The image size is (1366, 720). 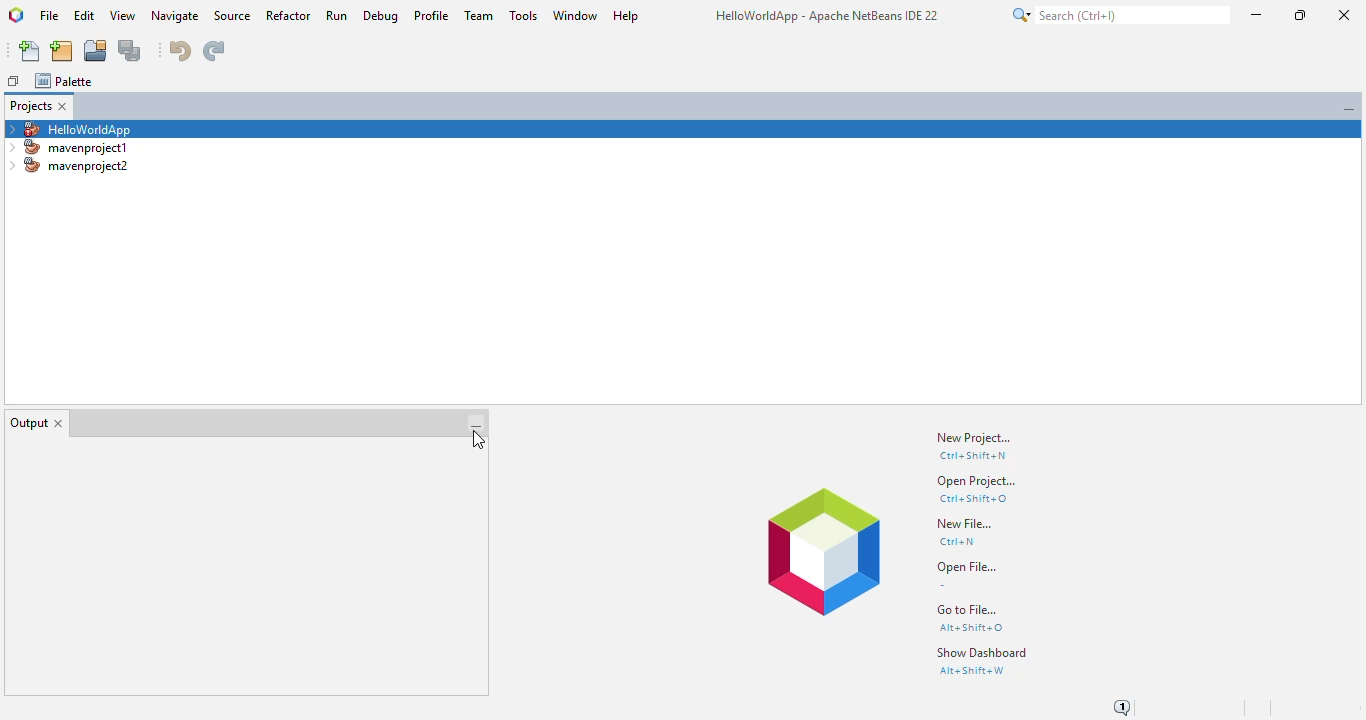 I want to click on maximize, so click(x=1299, y=15).